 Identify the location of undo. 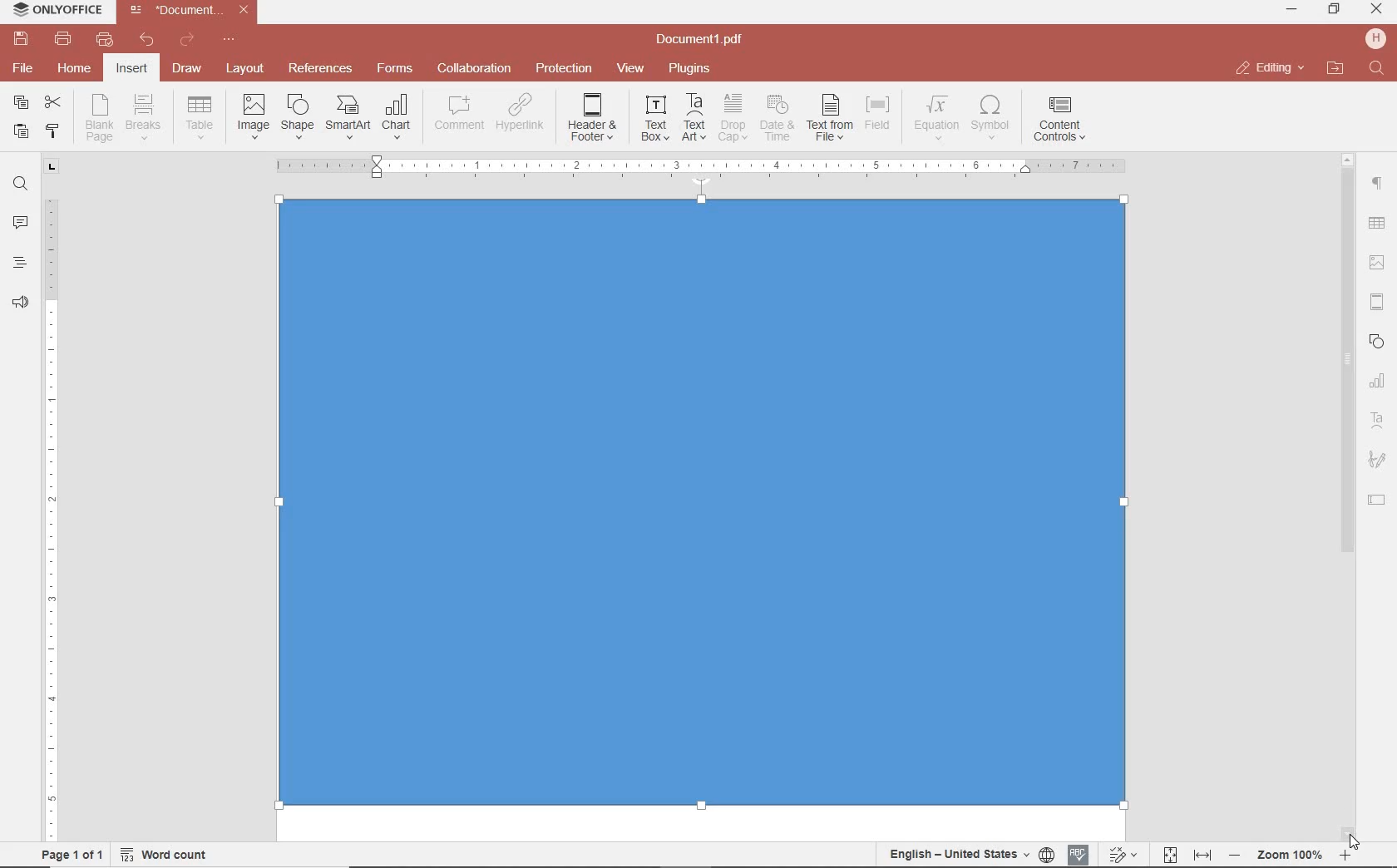
(147, 40).